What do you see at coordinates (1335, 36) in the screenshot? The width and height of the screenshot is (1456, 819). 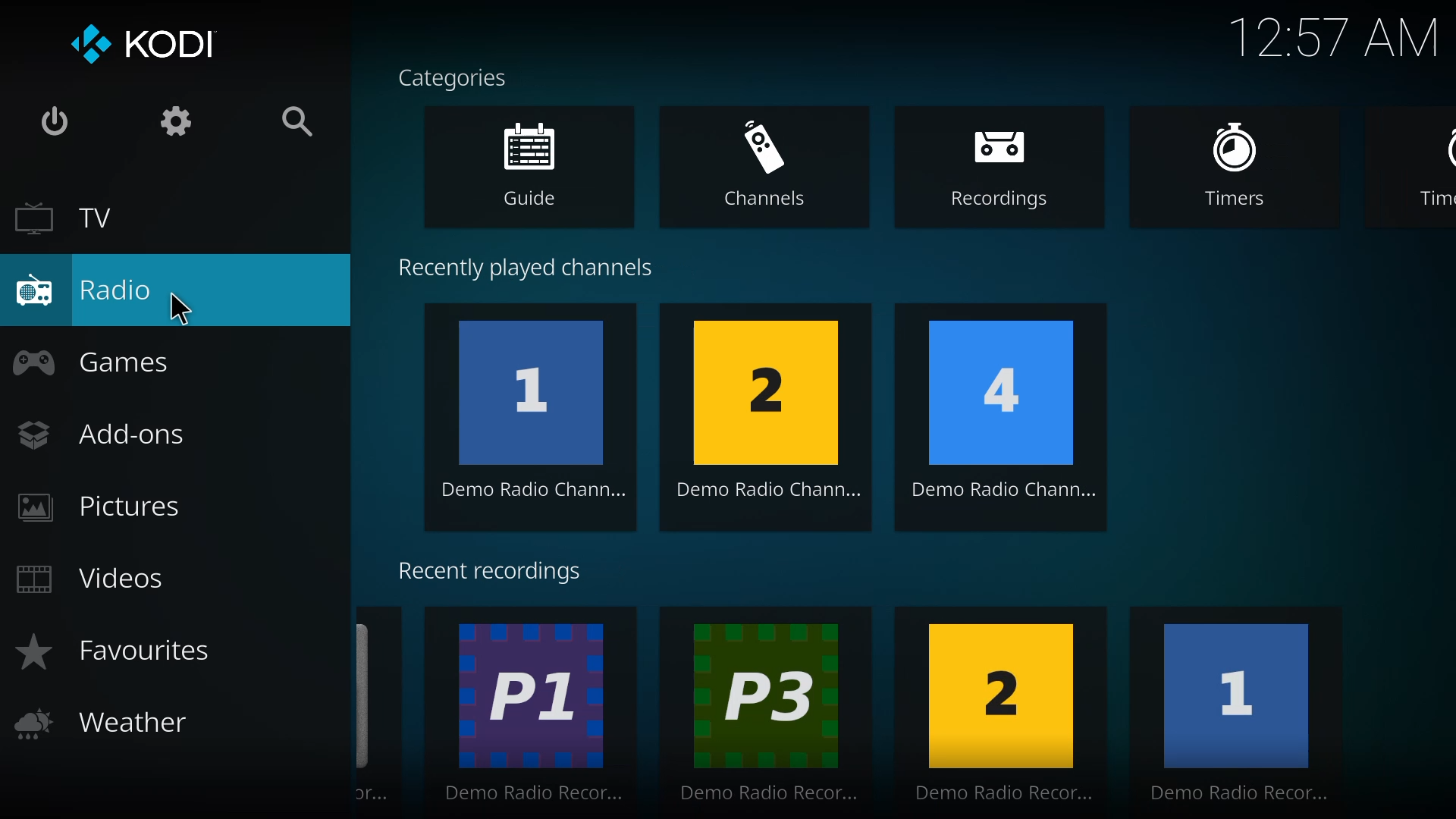 I see `time` at bounding box center [1335, 36].